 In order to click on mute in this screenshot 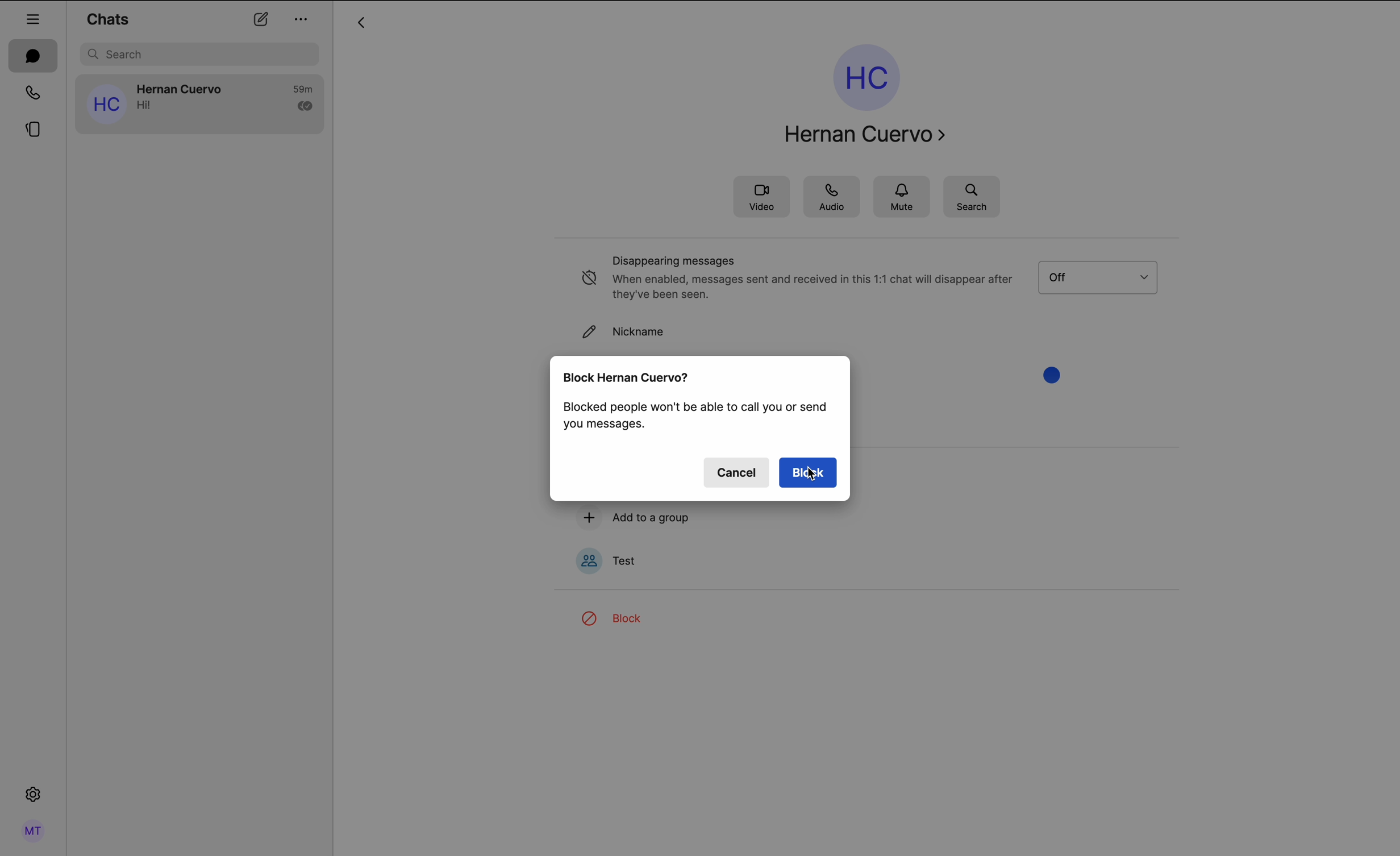, I will do `click(903, 197)`.